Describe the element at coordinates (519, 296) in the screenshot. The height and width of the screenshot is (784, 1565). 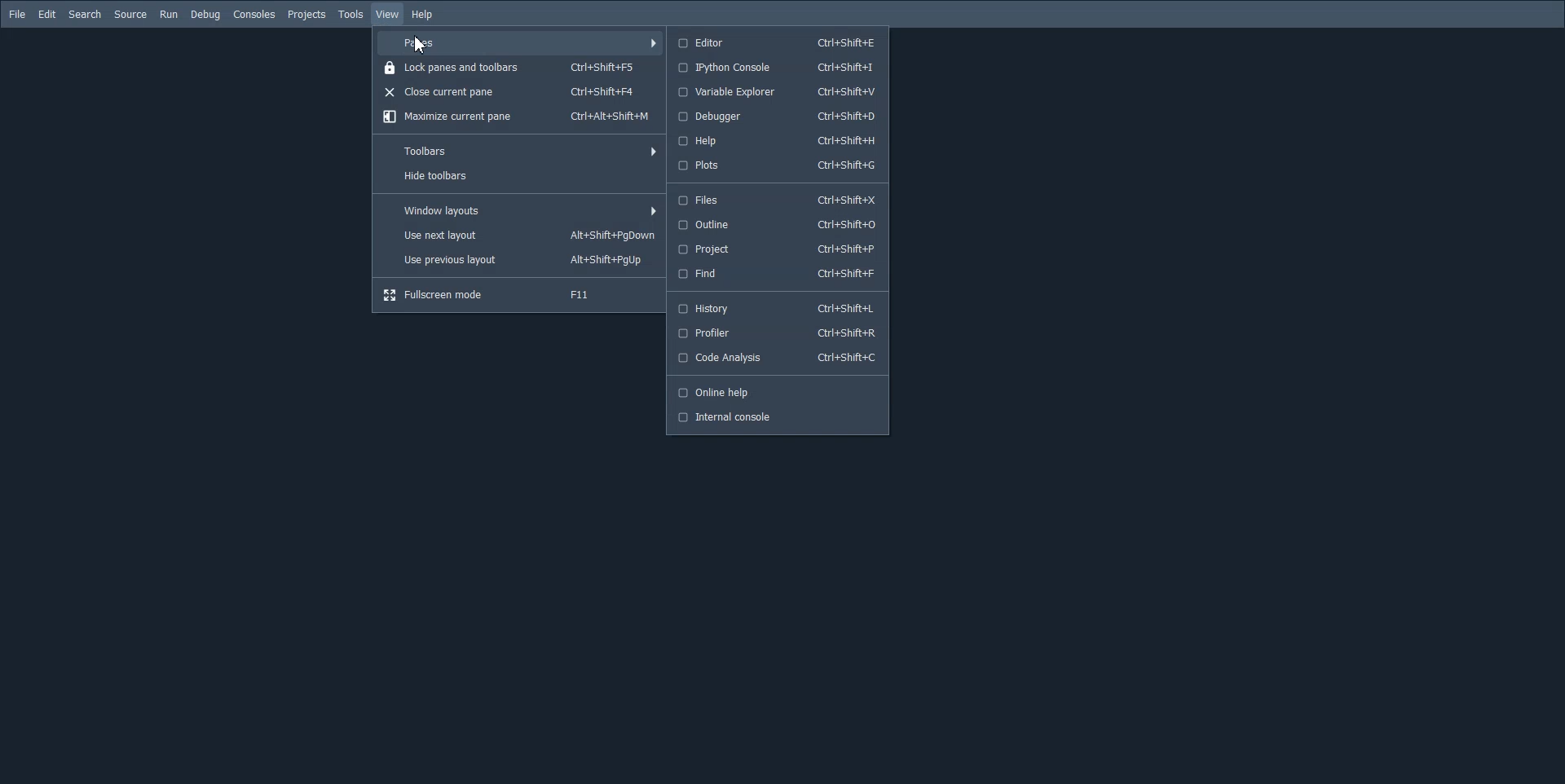
I see `Fullscreen mode` at that location.